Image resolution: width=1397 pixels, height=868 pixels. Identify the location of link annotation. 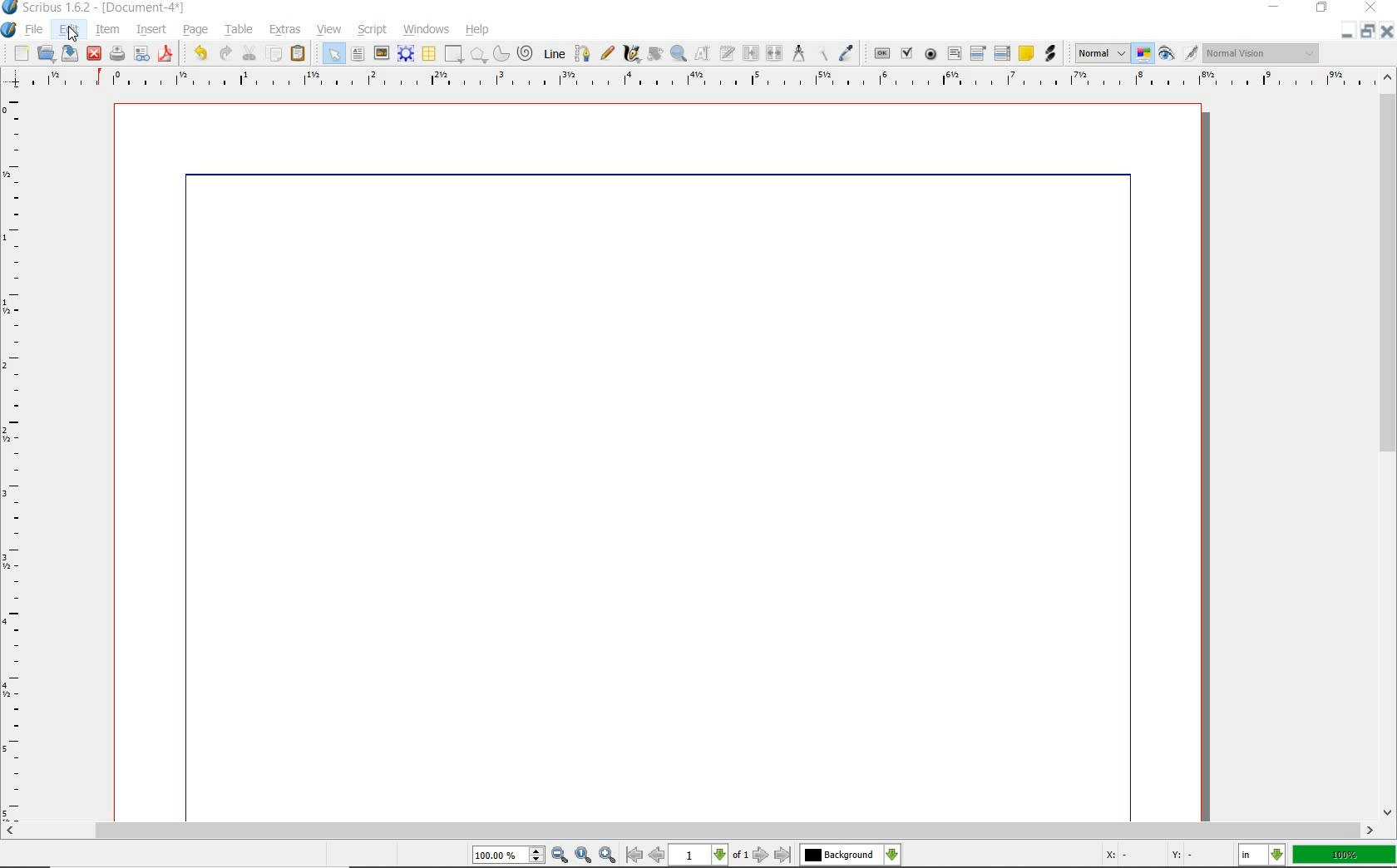
(1050, 52).